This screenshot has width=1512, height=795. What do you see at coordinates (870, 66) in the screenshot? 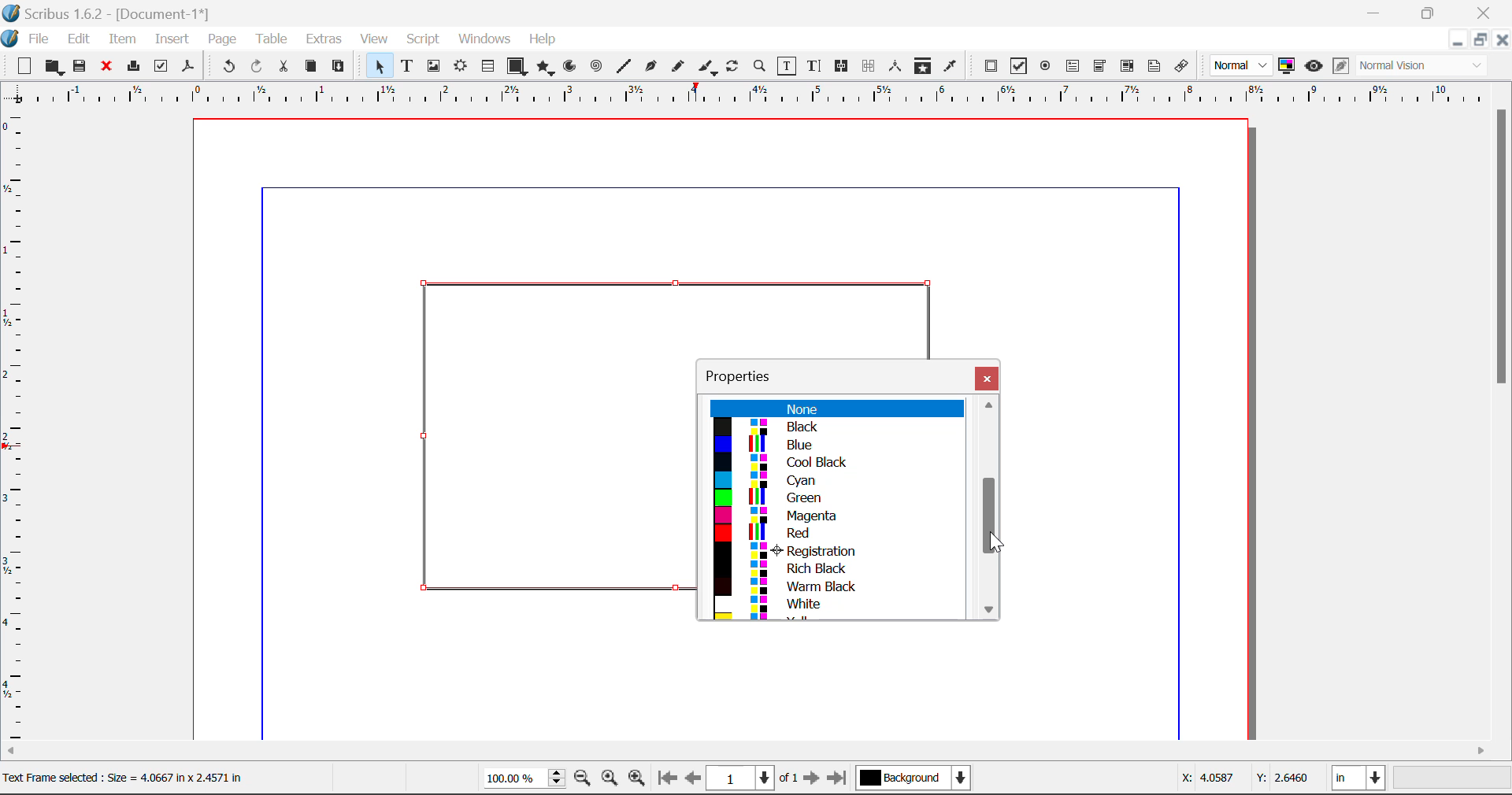
I see `Delink Frames` at bounding box center [870, 66].